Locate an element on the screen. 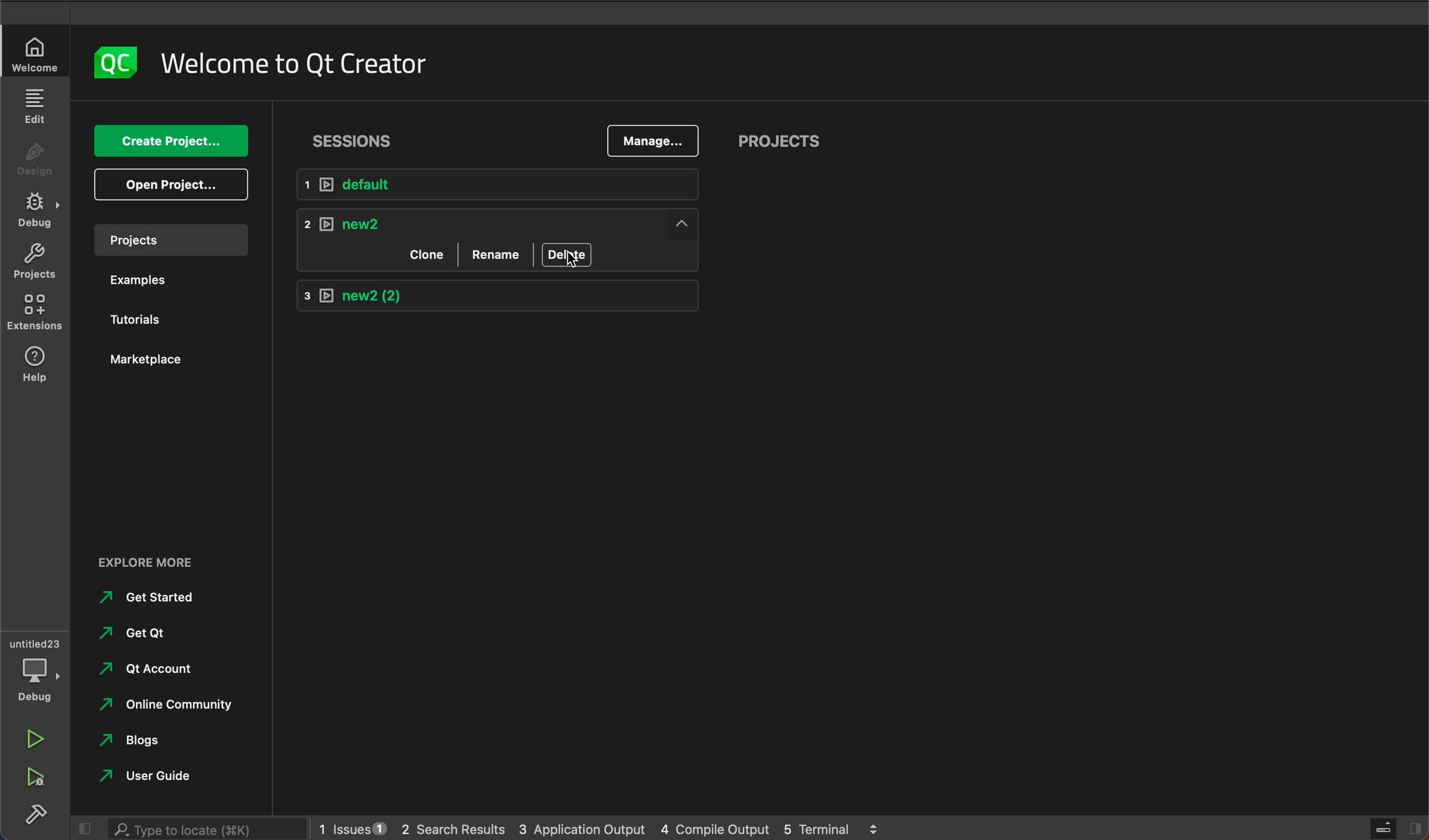 The image size is (1429, 840). logo is located at coordinates (115, 63).